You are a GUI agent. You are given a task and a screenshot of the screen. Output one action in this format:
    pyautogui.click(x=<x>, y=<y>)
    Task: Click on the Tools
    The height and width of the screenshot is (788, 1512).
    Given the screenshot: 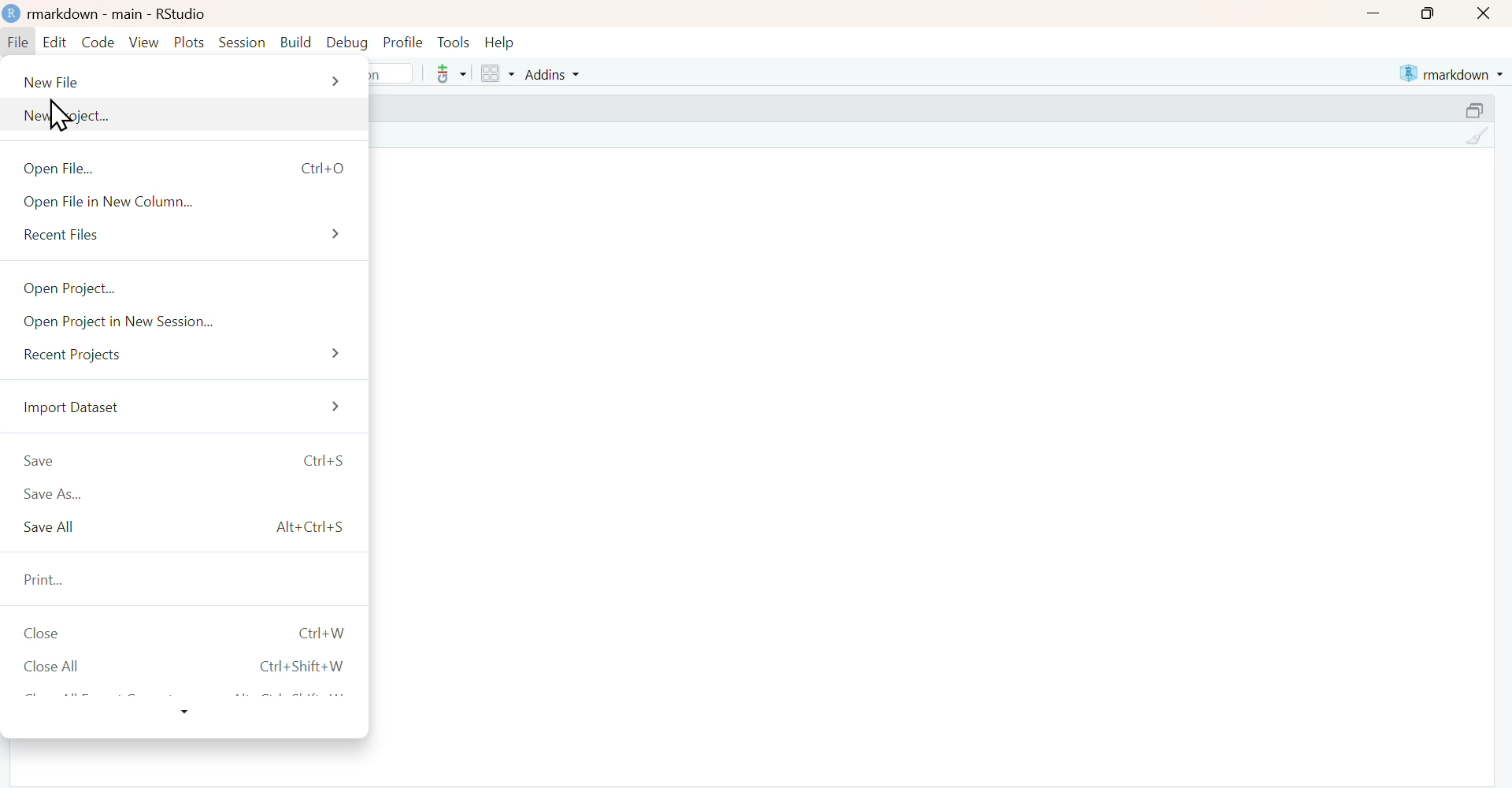 What is the action you would take?
    pyautogui.click(x=454, y=43)
    